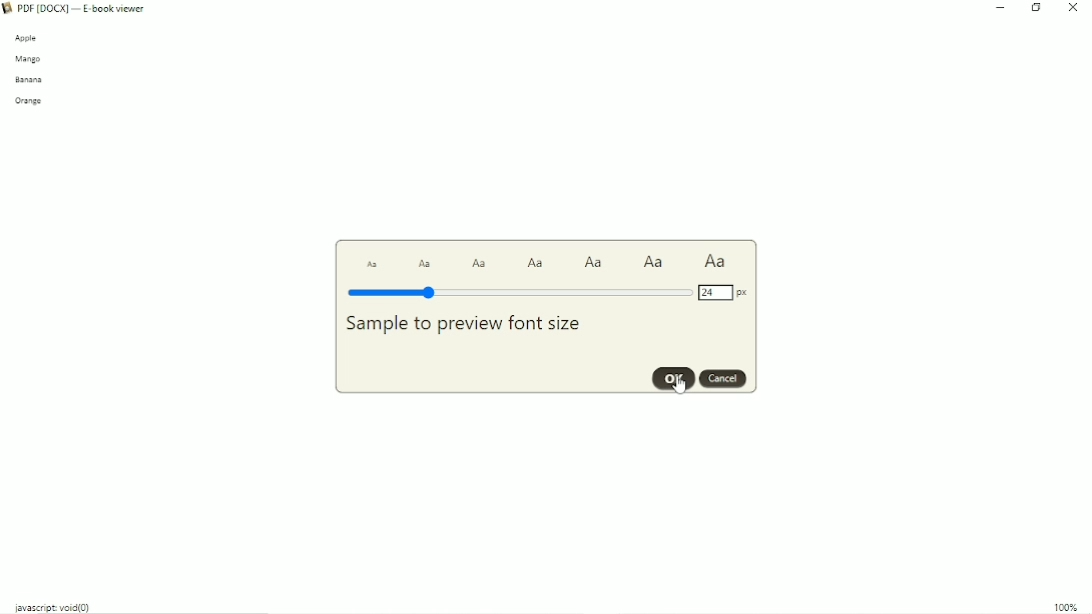  I want to click on Font size, so click(724, 292).